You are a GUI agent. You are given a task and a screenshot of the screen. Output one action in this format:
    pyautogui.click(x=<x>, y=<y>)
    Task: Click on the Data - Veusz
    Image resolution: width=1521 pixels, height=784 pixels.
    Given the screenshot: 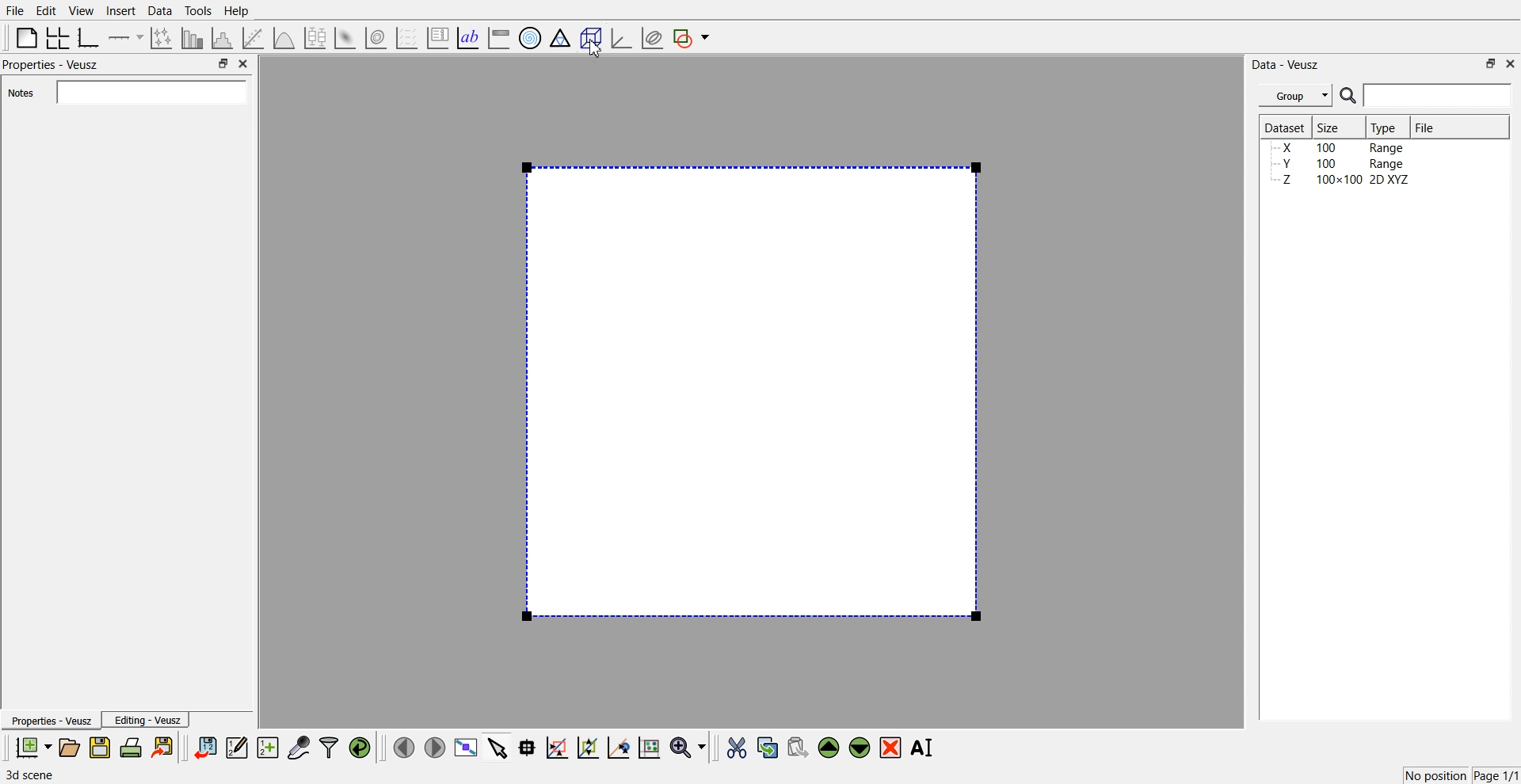 What is the action you would take?
    pyautogui.click(x=1285, y=65)
    